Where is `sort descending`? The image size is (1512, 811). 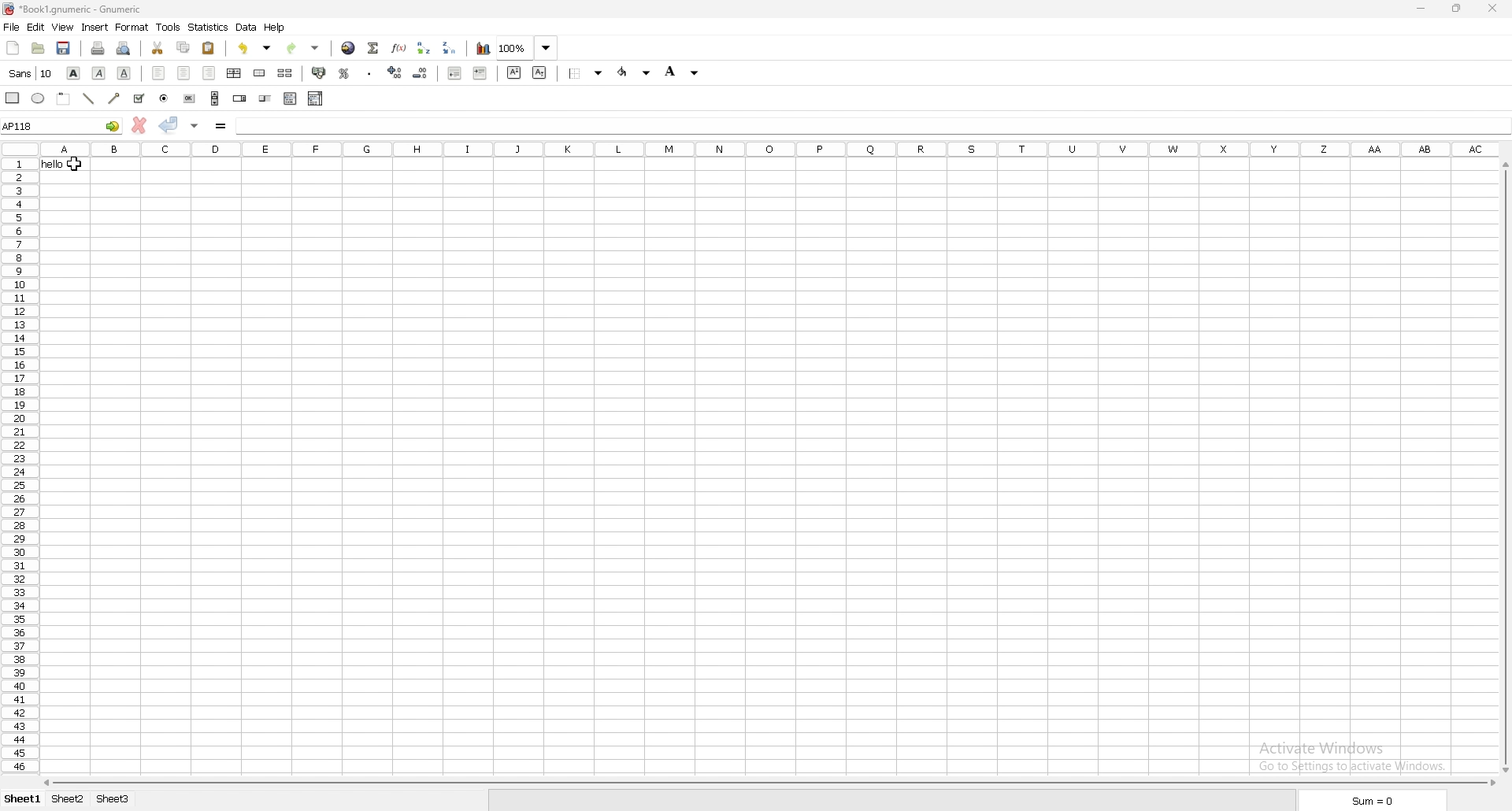
sort descending is located at coordinates (450, 48).